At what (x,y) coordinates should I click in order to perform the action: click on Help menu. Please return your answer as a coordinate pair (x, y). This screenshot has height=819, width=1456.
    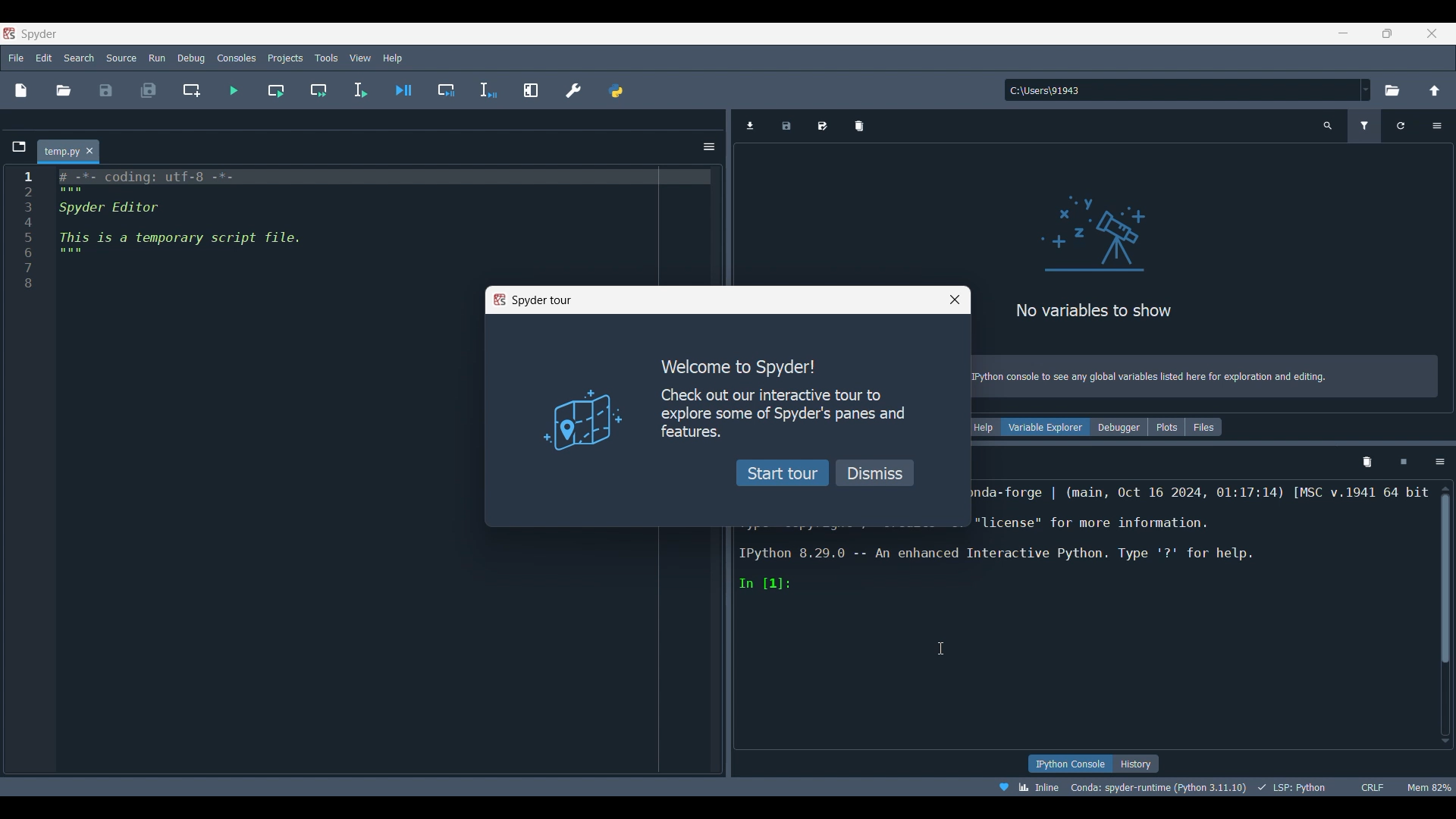
    Looking at the image, I should click on (393, 58).